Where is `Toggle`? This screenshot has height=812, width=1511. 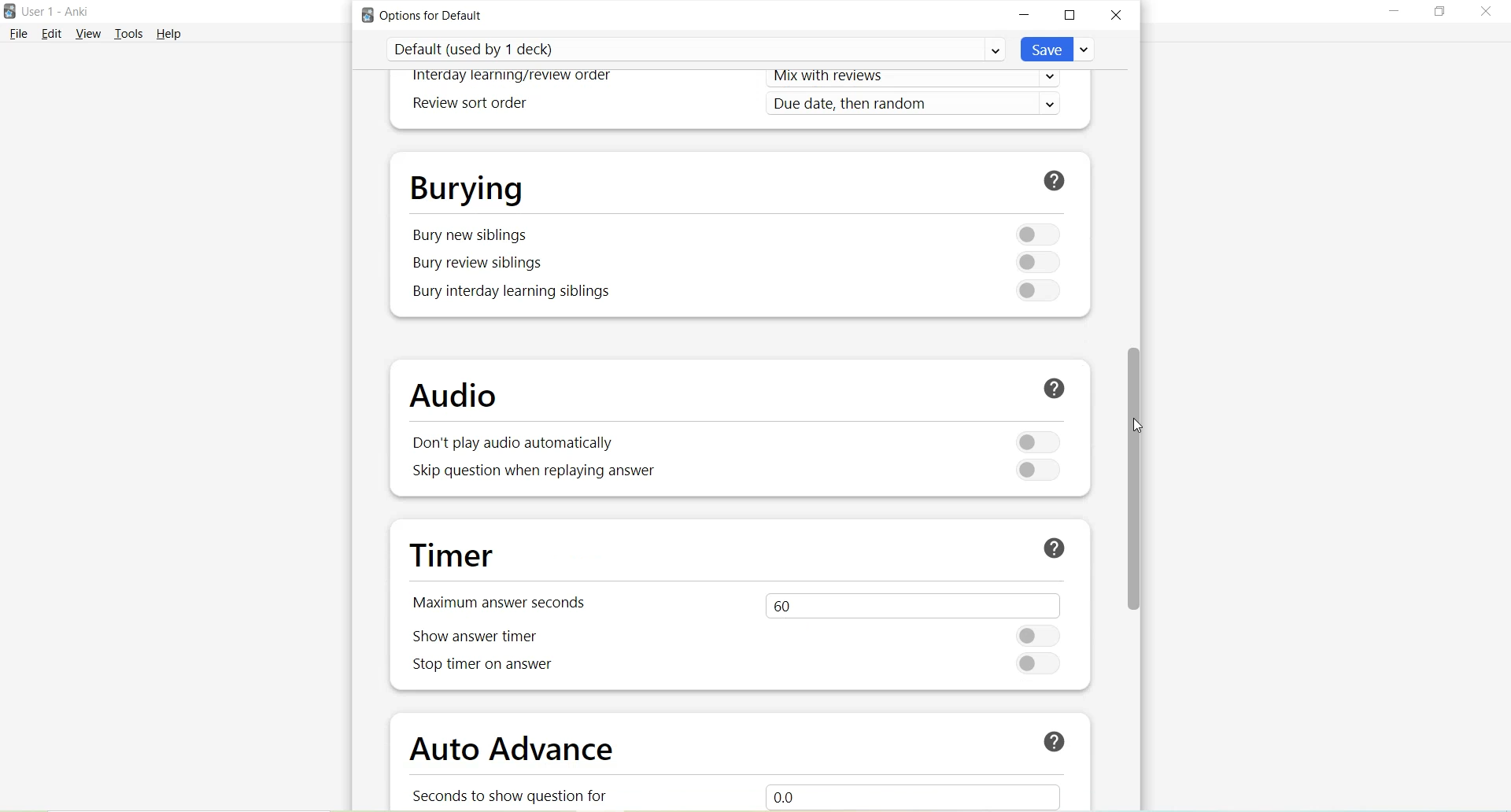
Toggle is located at coordinates (1031, 290).